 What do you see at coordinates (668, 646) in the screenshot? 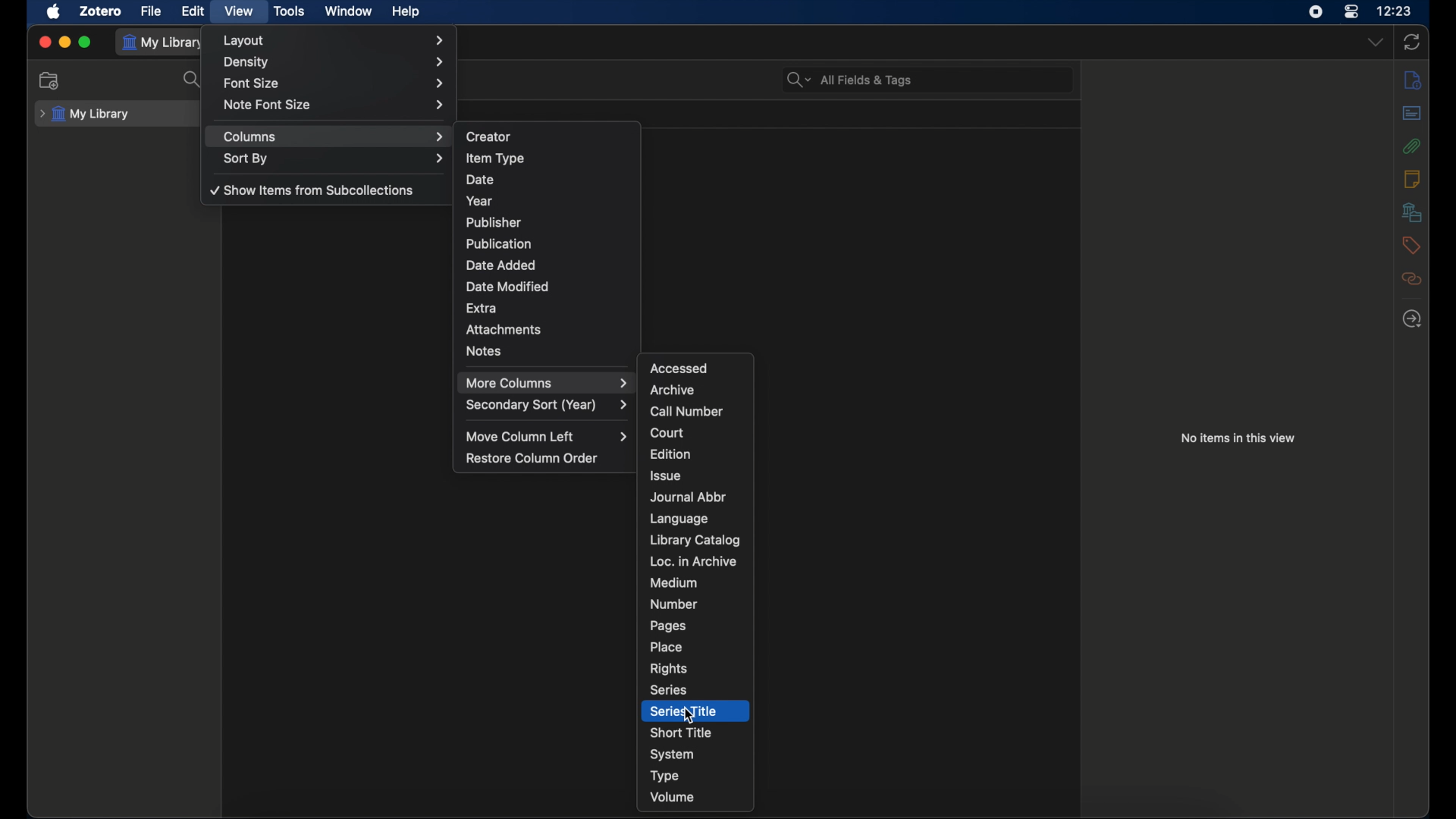
I see `place` at bounding box center [668, 646].